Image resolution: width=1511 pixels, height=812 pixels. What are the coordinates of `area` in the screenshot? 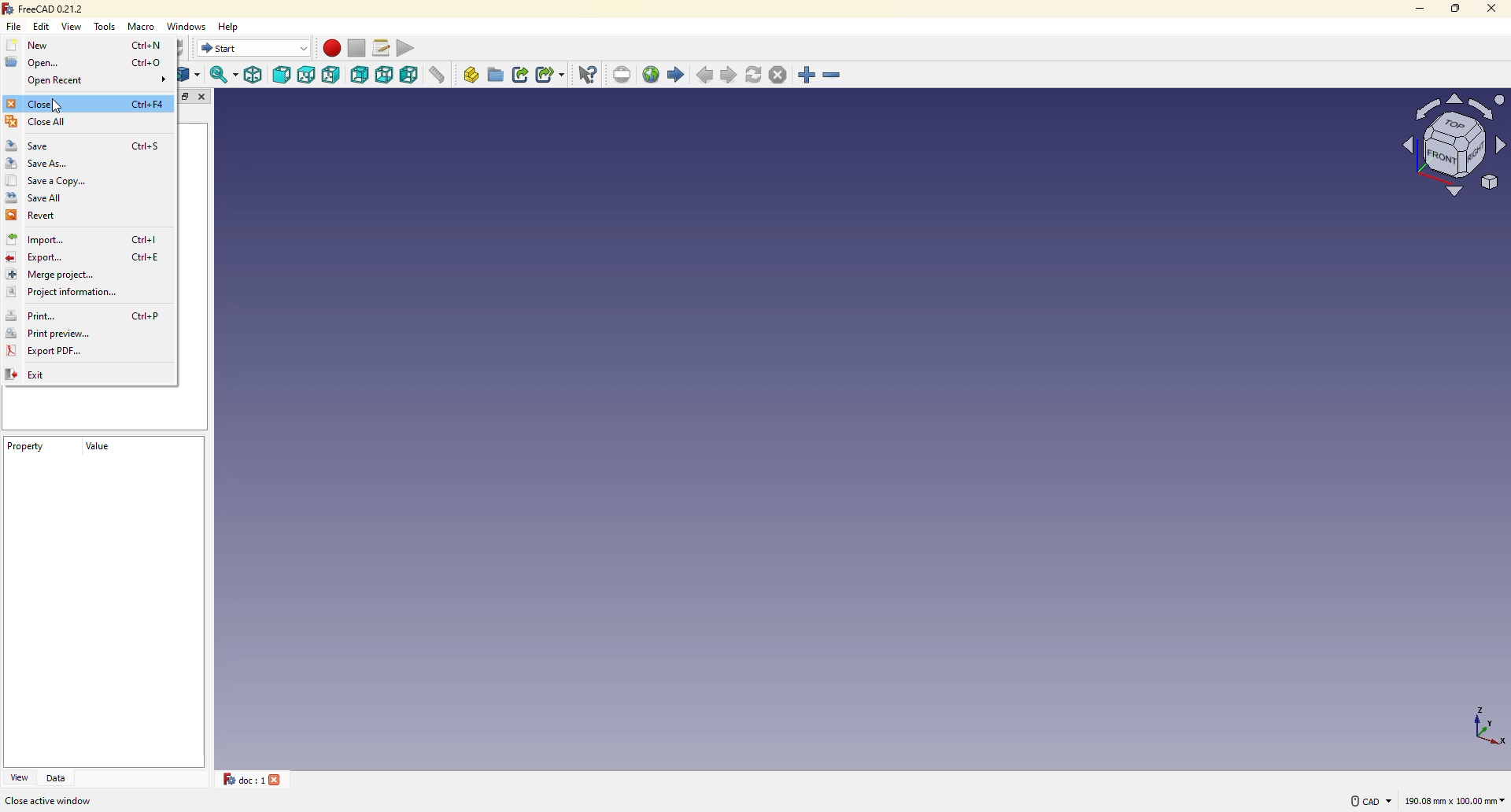 It's located at (1455, 802).